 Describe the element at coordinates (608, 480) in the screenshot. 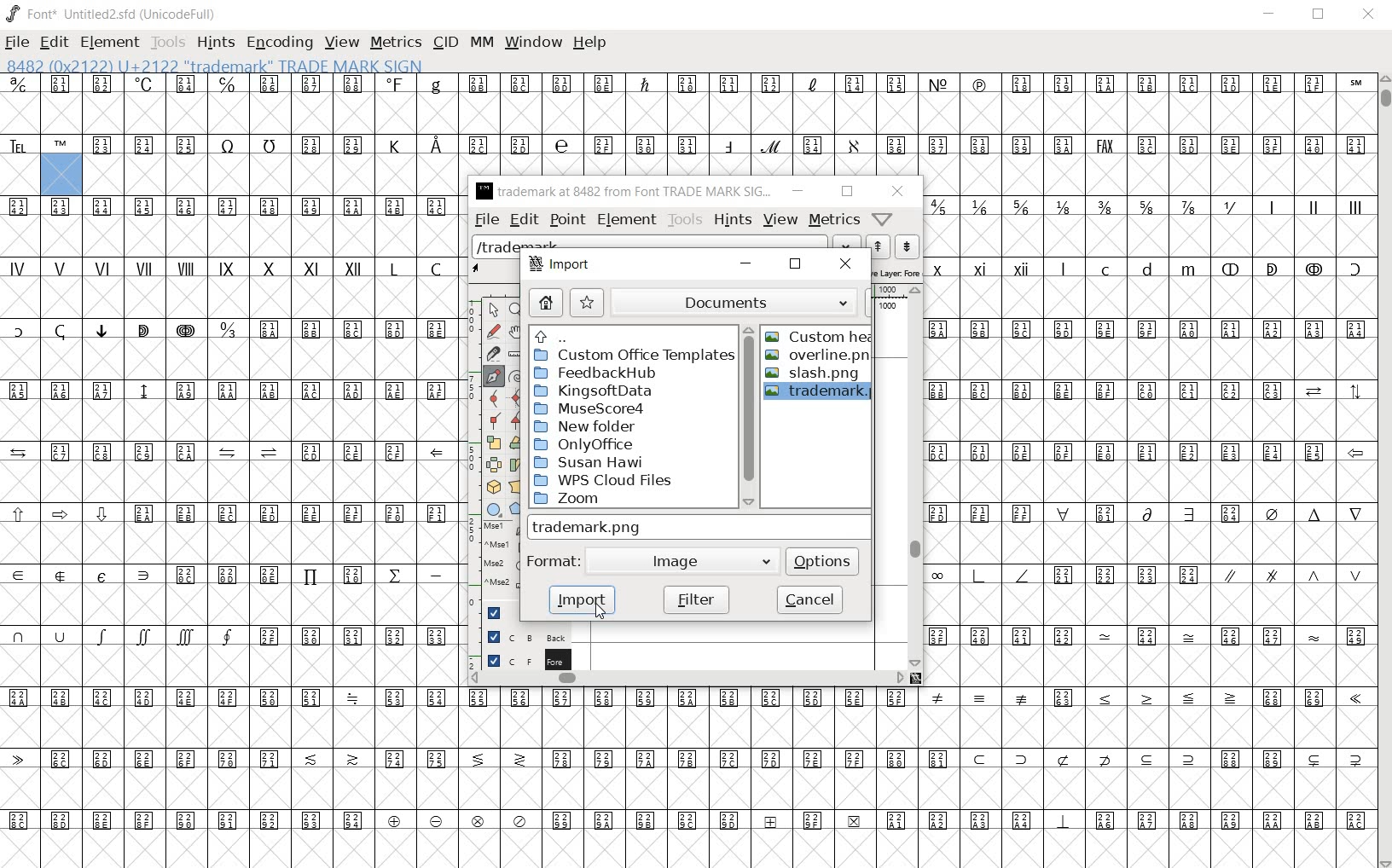

I see `WPS Cloud Files` at that location.